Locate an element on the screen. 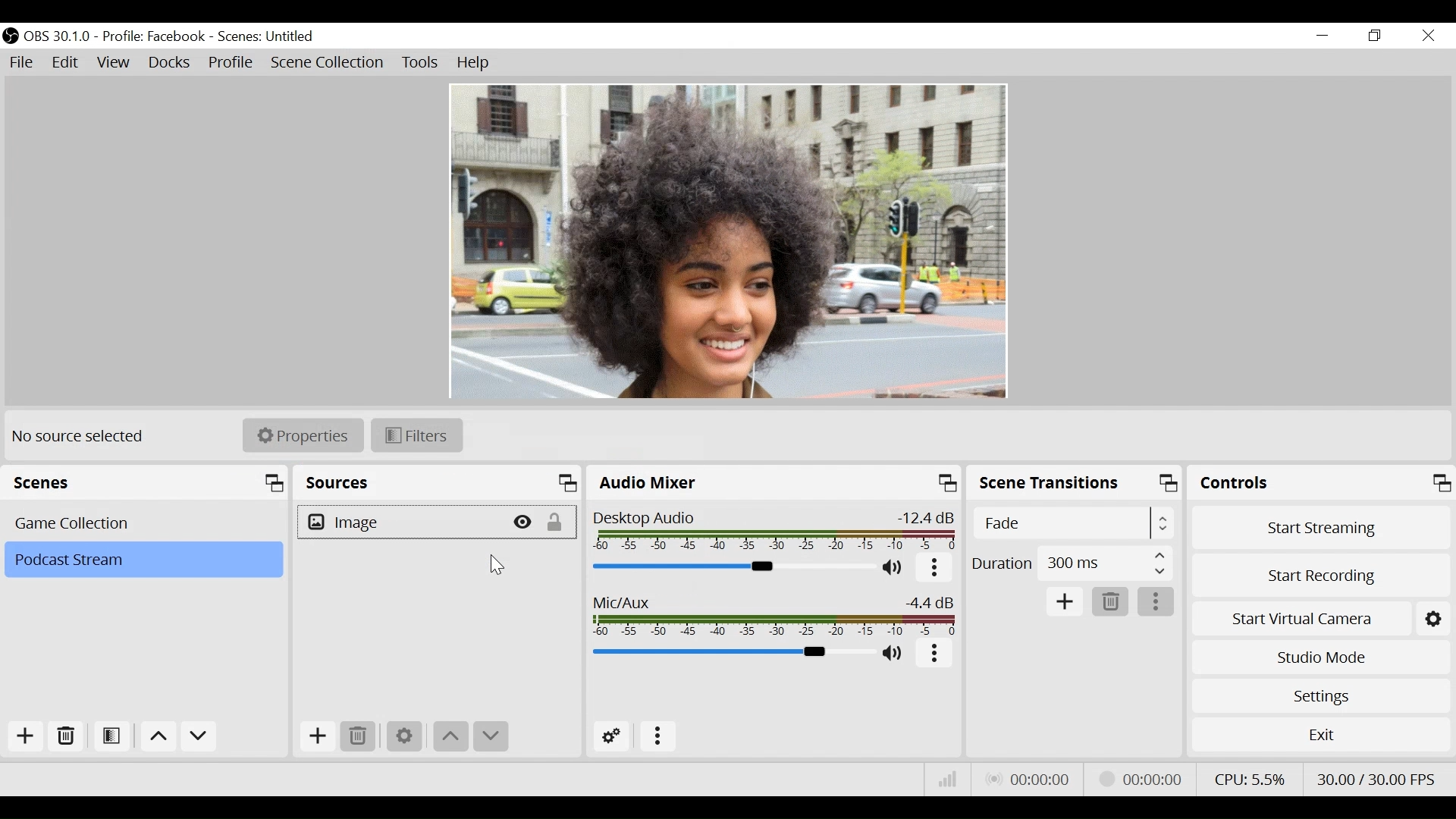 The height and width of the screenshot is (819, 1456). Docks is located at coordinates (169, 64).